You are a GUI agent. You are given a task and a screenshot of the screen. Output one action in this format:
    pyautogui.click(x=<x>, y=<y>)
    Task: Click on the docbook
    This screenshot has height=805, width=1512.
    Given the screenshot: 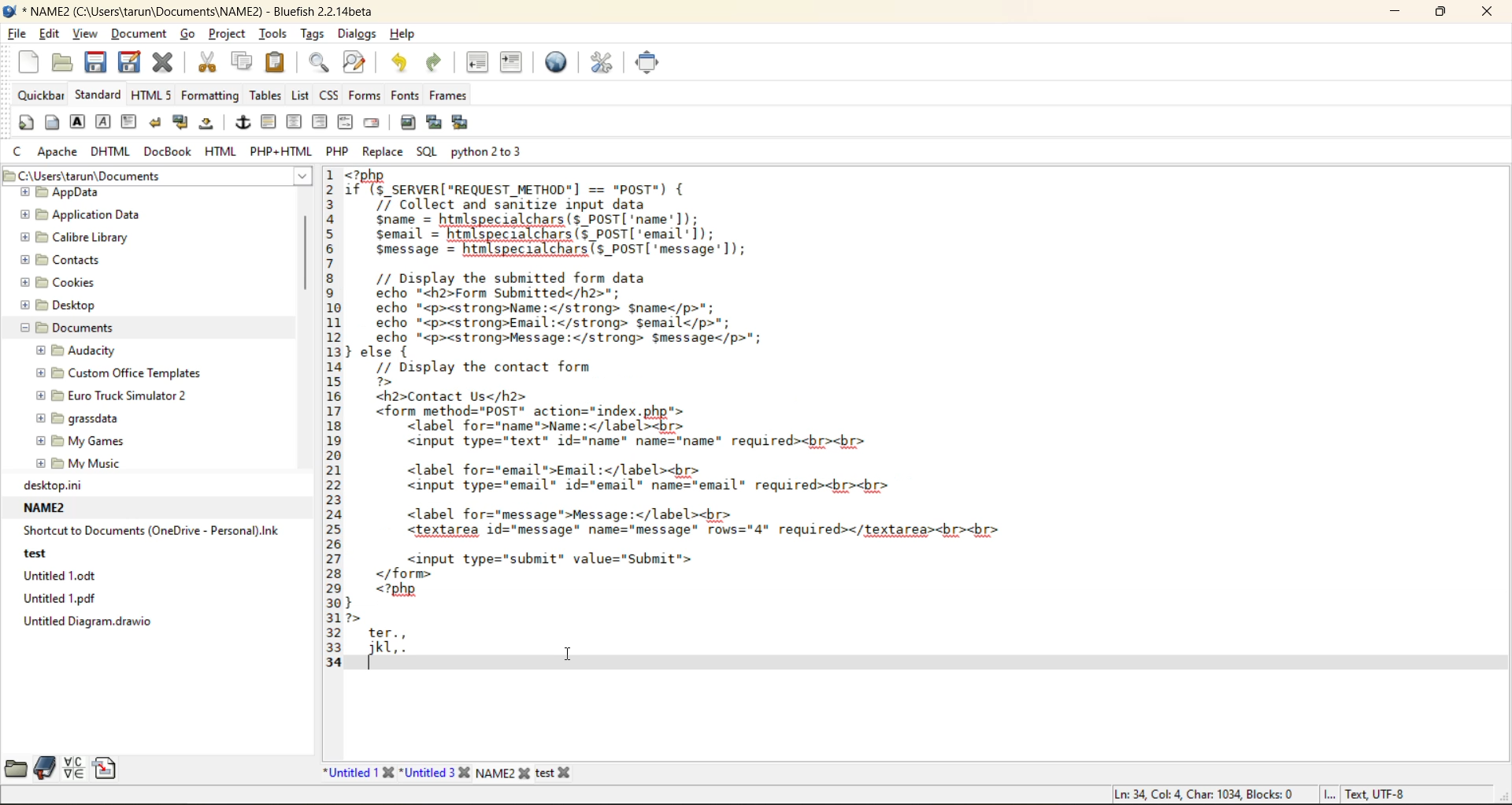 What is the action you would take?
    pyautogui.click(x=168, y=153)
    